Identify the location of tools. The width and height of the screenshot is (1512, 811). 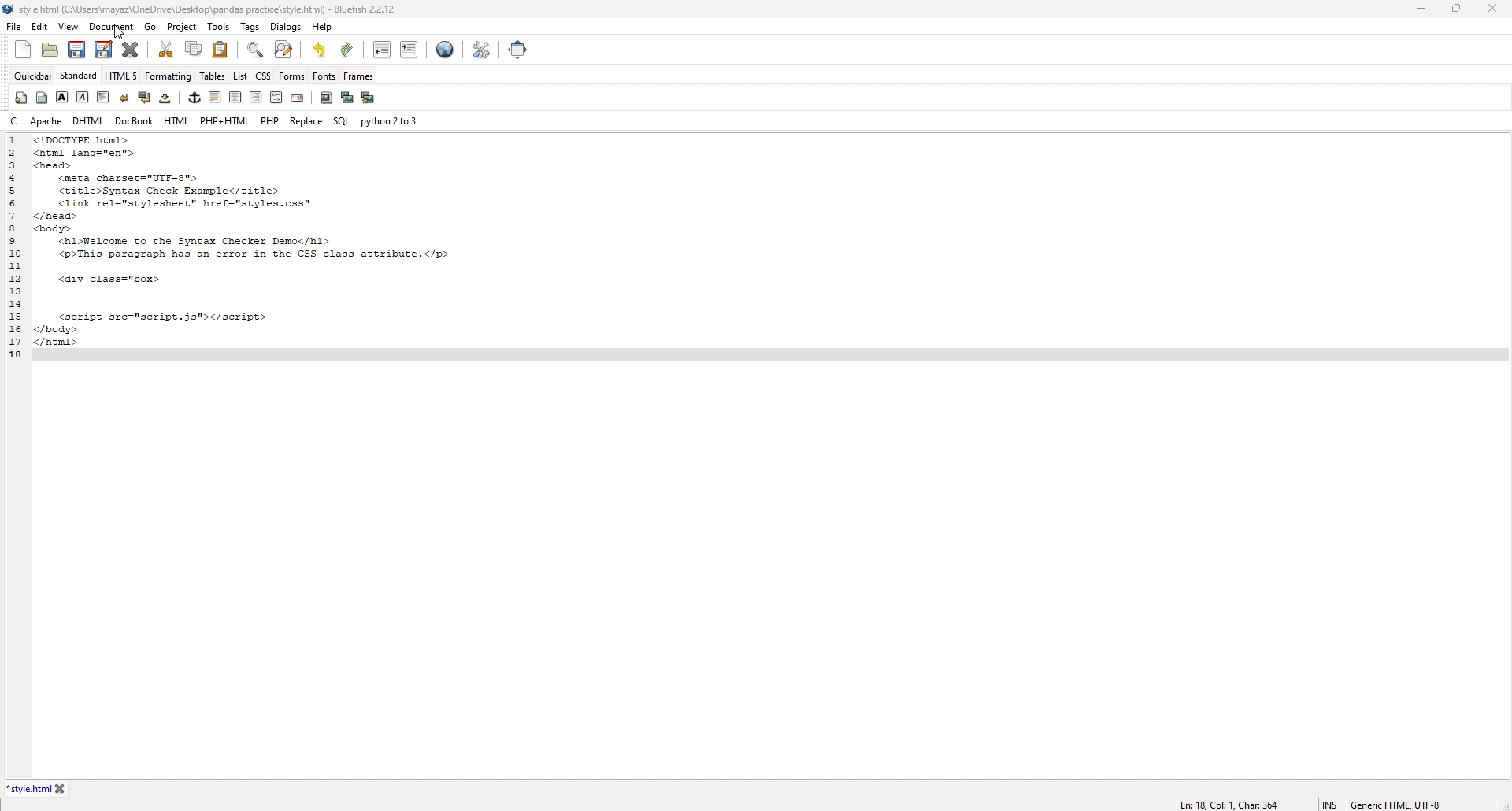
(219, 28).